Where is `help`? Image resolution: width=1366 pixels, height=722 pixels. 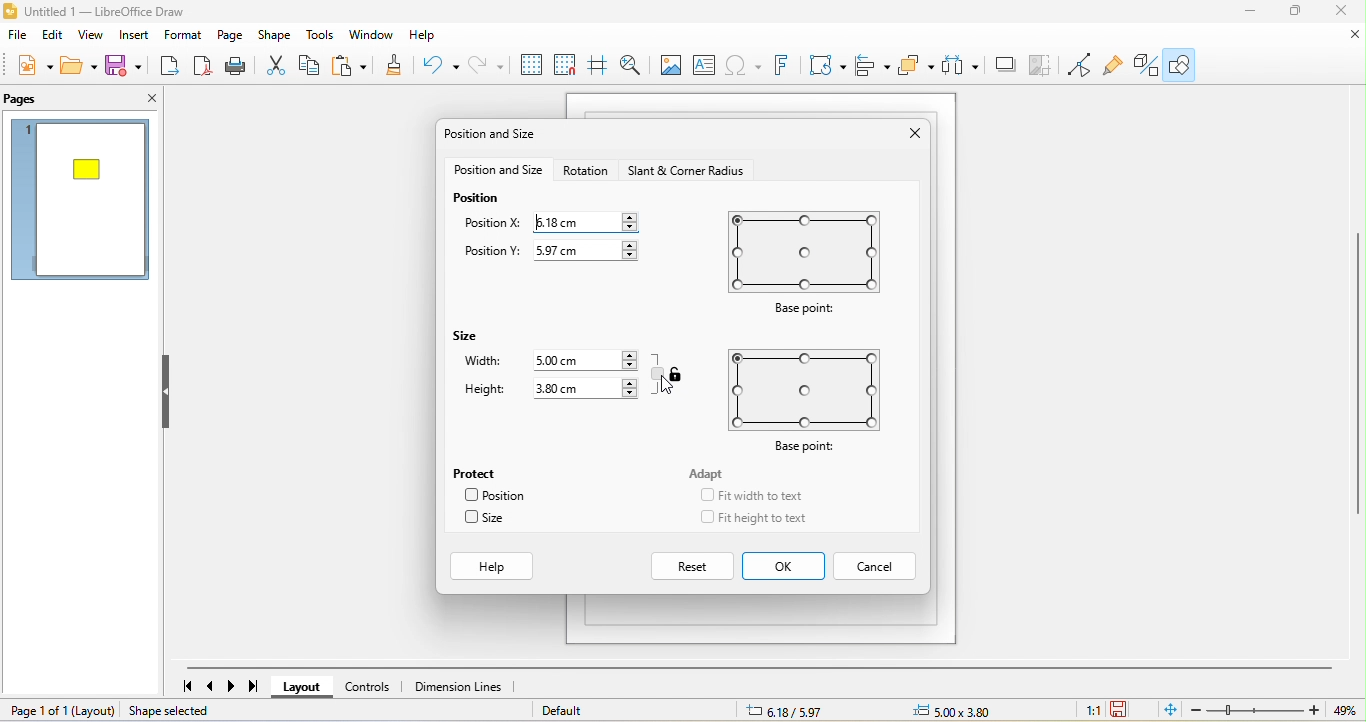
help is located at coordinates (432, 36).